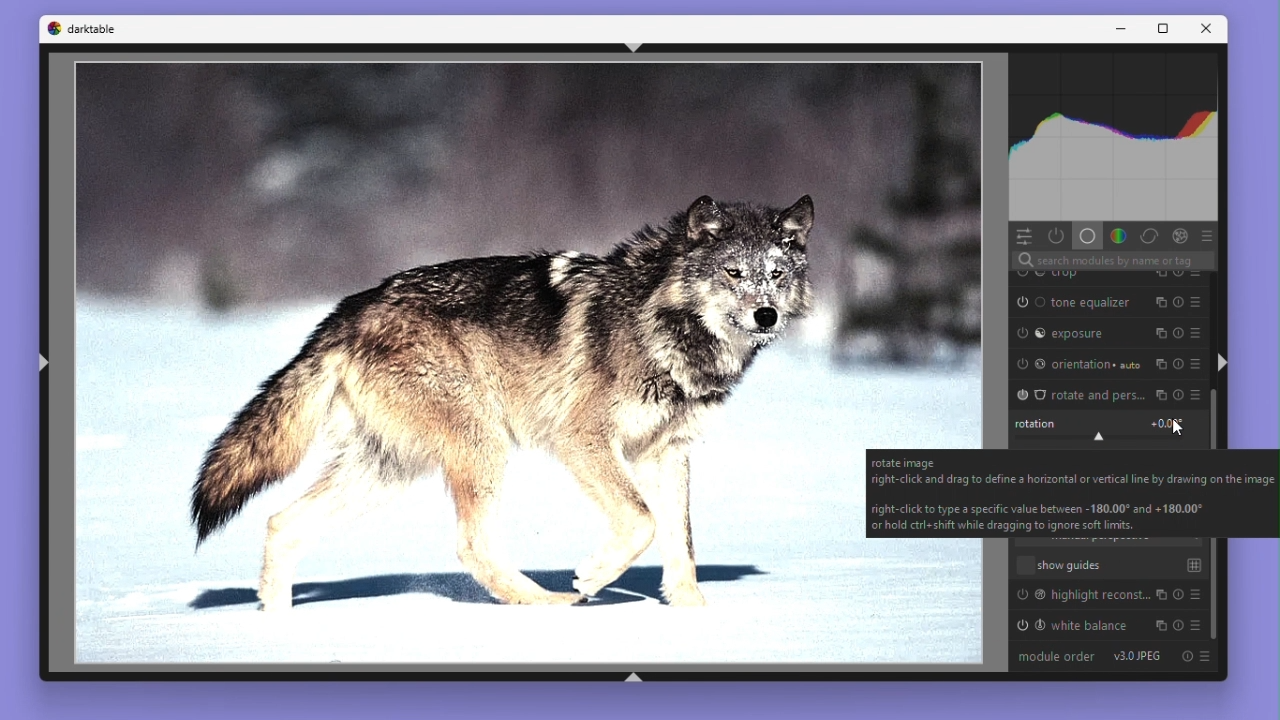  What do you see at coordinates (633, 678) in the screenshot?
I see `Shift + ctrl + b` at bounding box center [633, 678].